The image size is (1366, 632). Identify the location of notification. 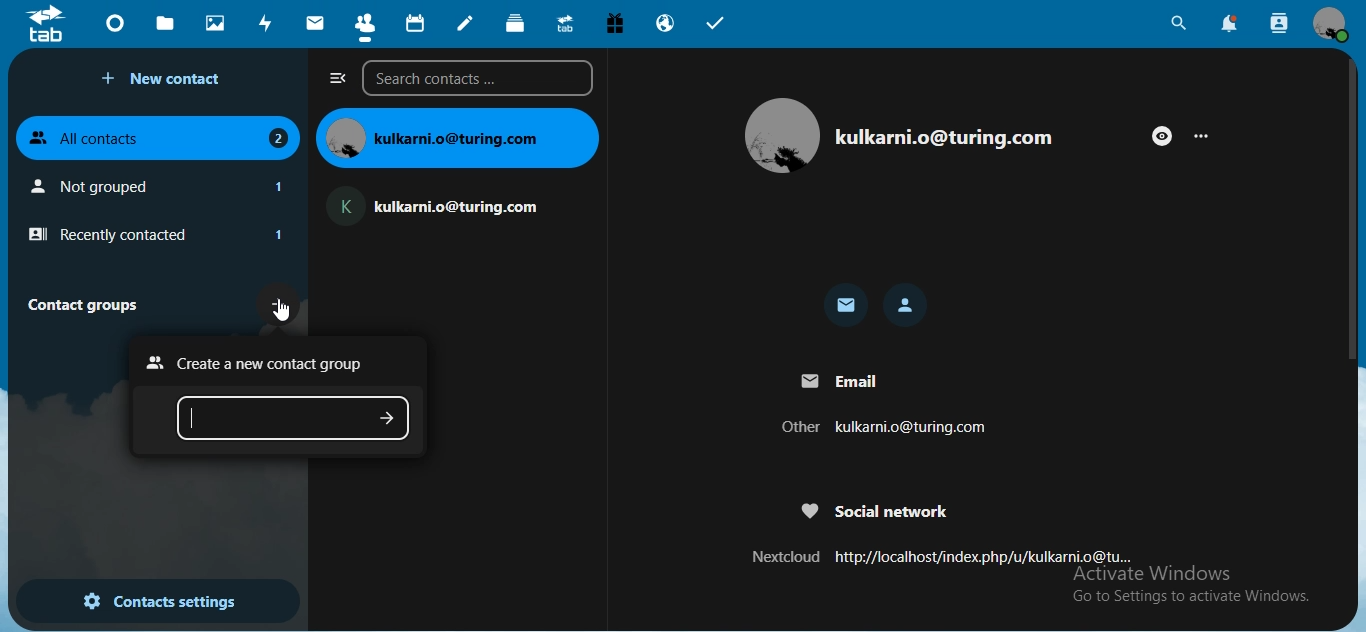
(1231, 24).